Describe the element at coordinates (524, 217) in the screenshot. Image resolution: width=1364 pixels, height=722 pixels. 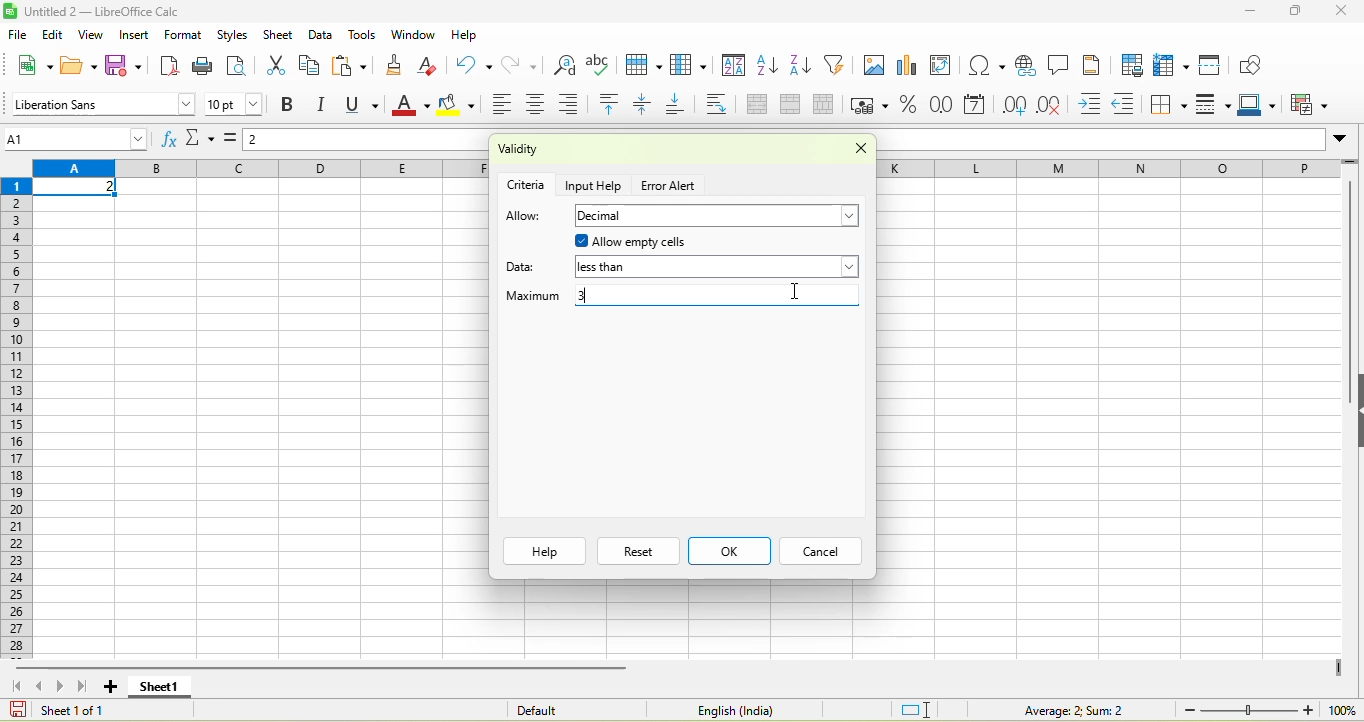
I see `allow` at that location.